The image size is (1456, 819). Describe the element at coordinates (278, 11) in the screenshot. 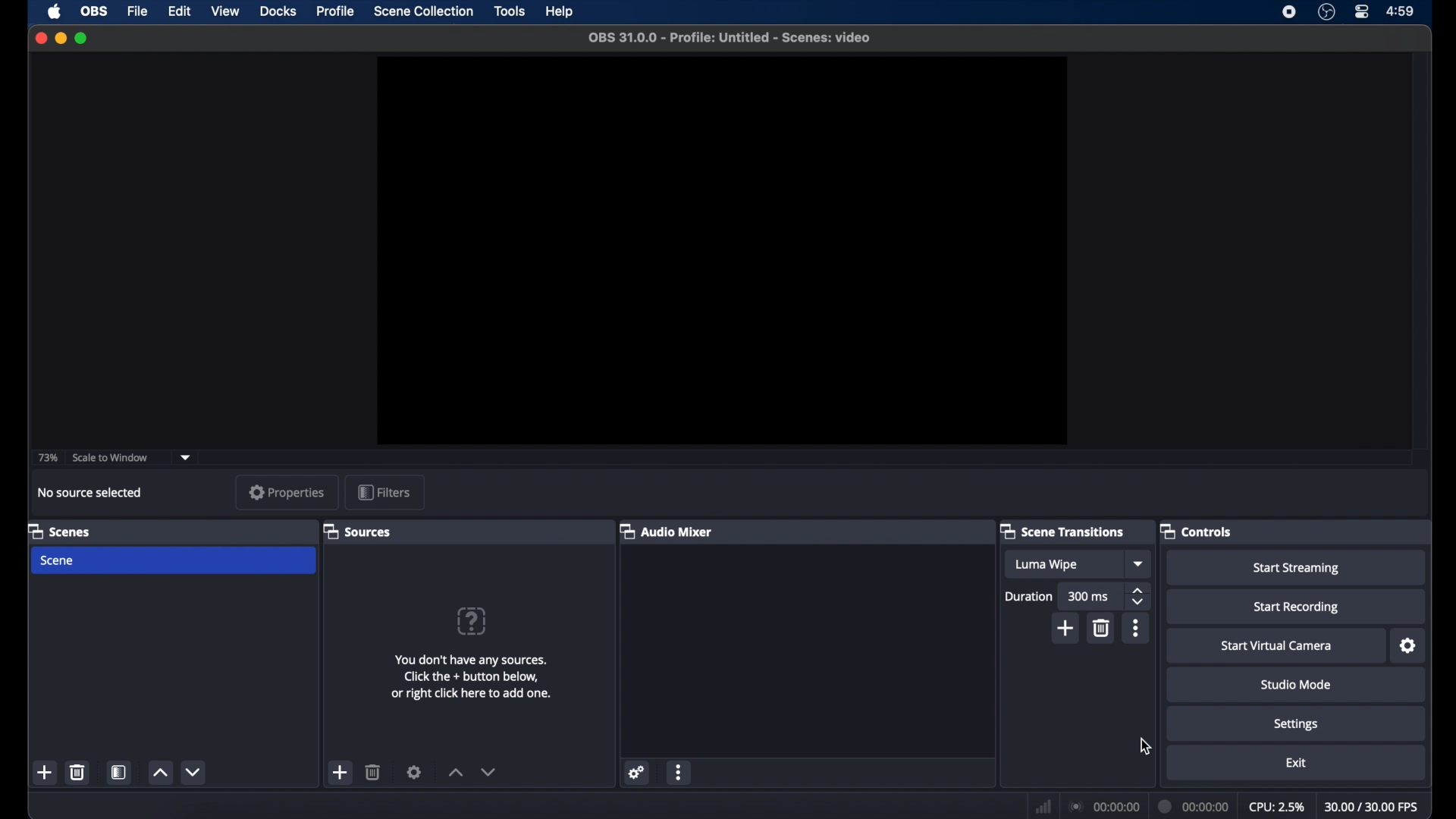

I see `docks` at that location.